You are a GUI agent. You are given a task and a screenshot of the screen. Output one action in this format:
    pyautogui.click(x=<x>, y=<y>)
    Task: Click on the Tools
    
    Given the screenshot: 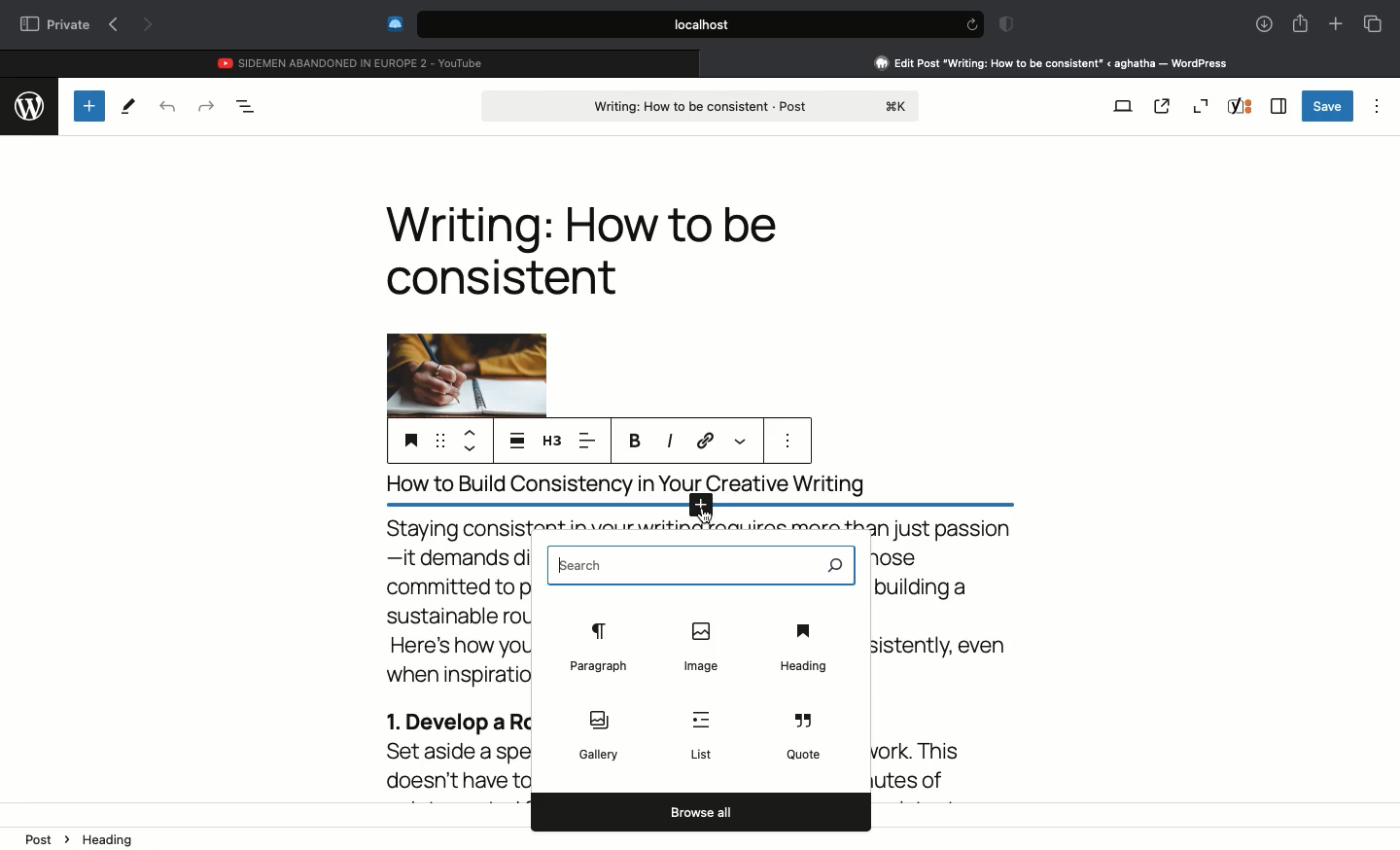 What is the action you would take?
    pyautogui.click(x=128, y=107)
    